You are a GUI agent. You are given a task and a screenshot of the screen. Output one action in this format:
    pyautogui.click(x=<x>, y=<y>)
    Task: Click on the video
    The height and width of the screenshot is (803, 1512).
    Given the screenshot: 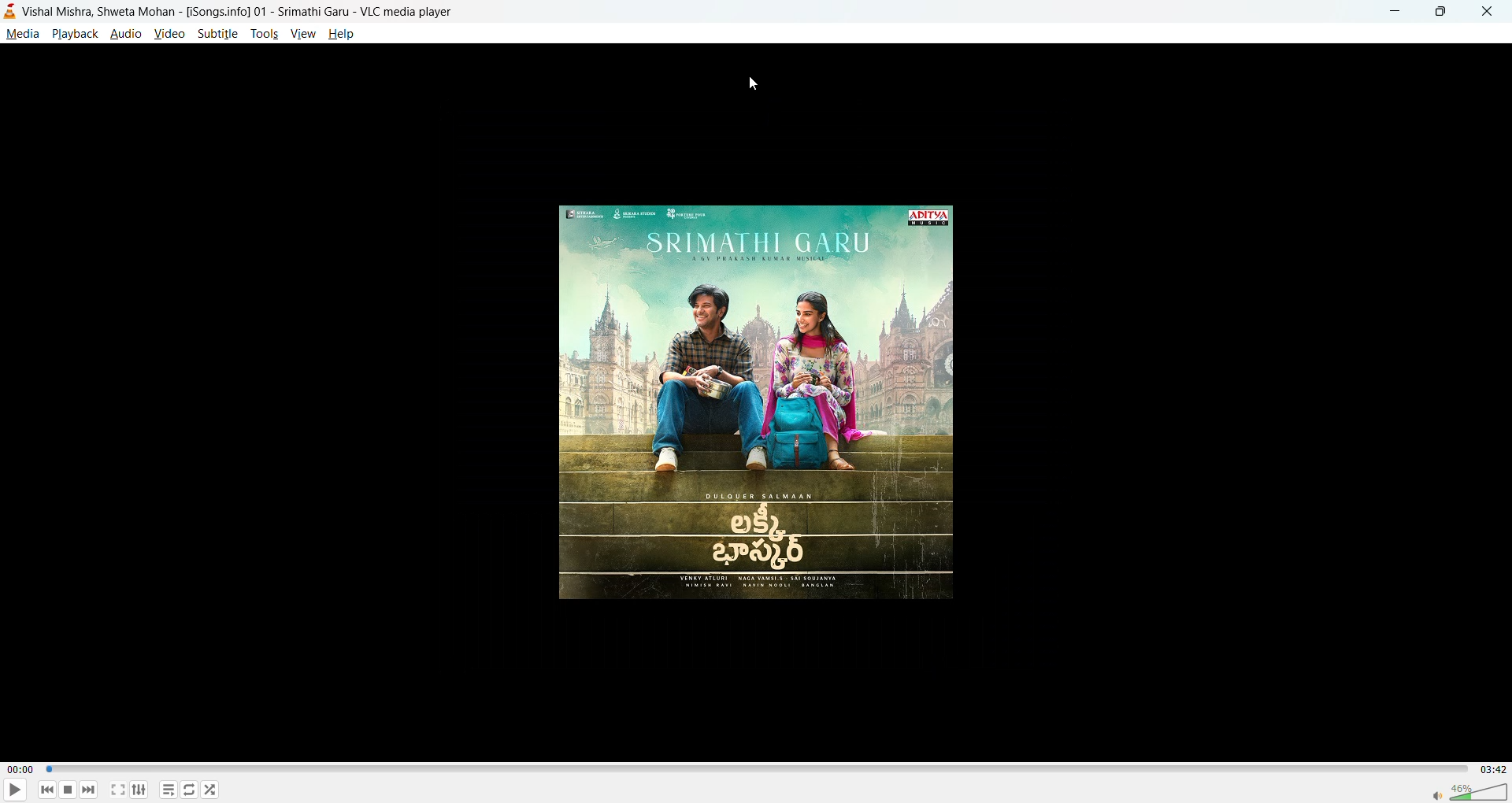 What is the action you would take?
    pyautogui.click(x=171, y=33)
    